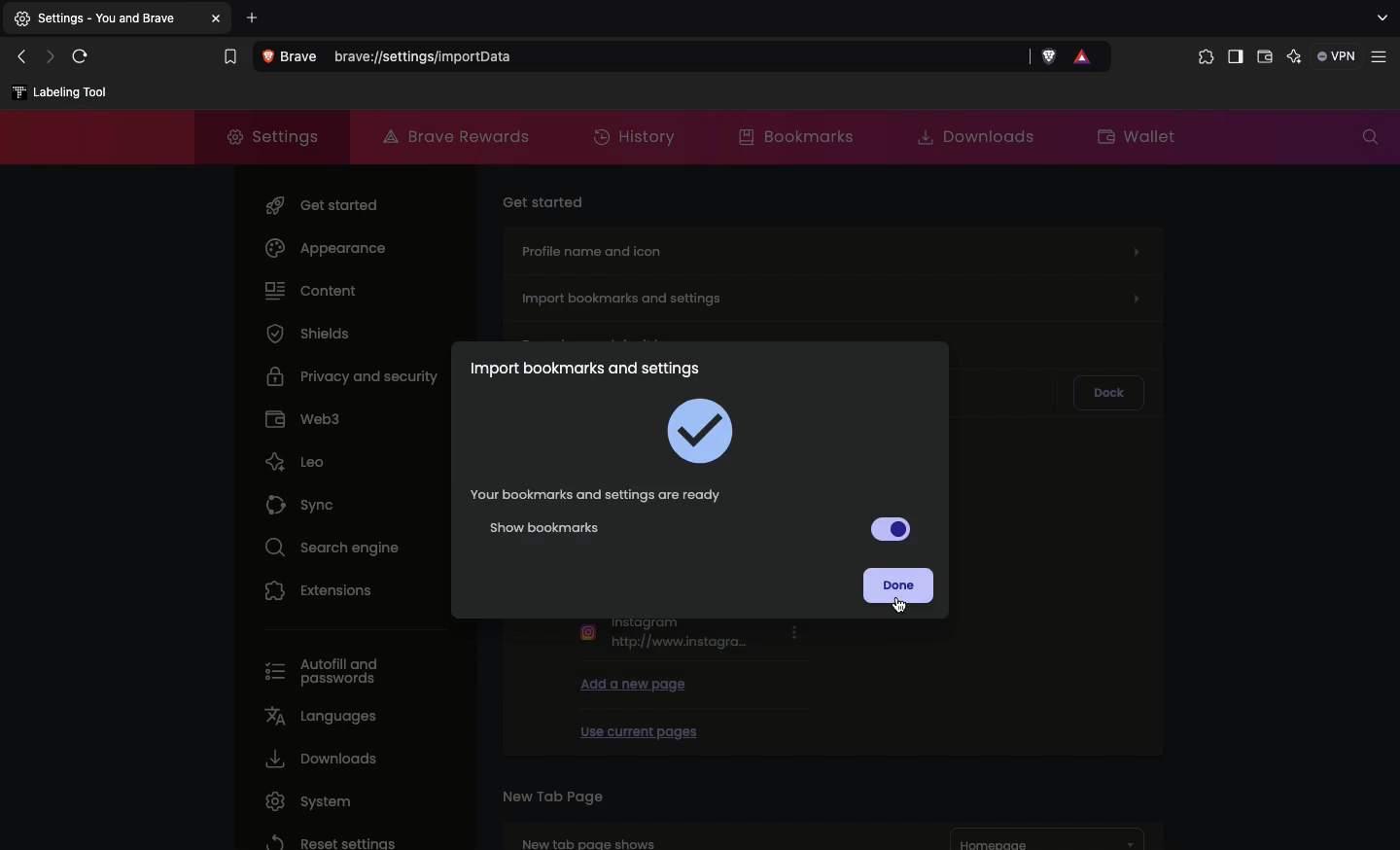 Image resolution: width=1400 pixels, height=850 pixels. I want to click on Languages, so click(318, 715).